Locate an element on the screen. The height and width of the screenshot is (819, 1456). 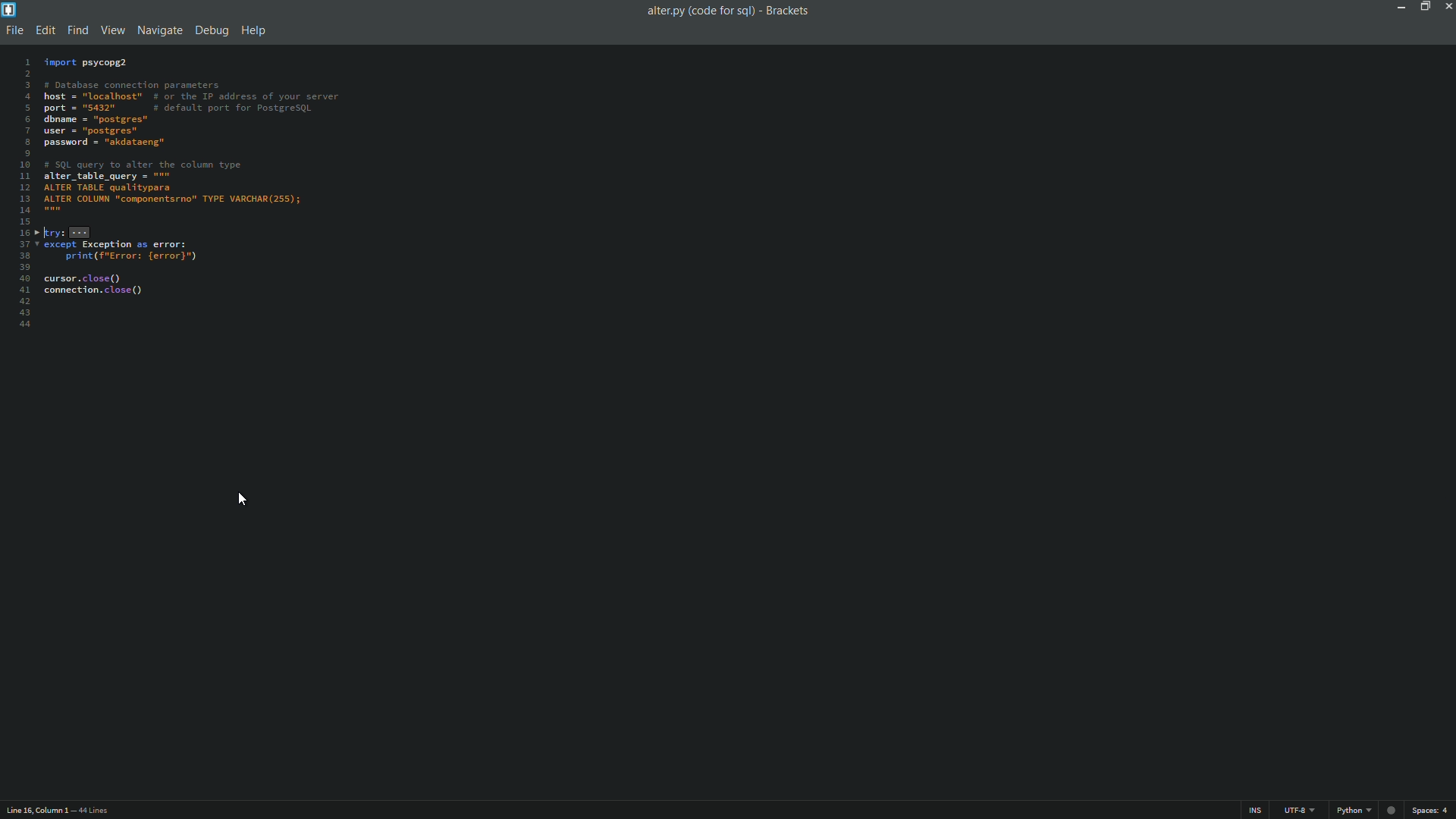
file encoding is located at coordinates (1298, 811).